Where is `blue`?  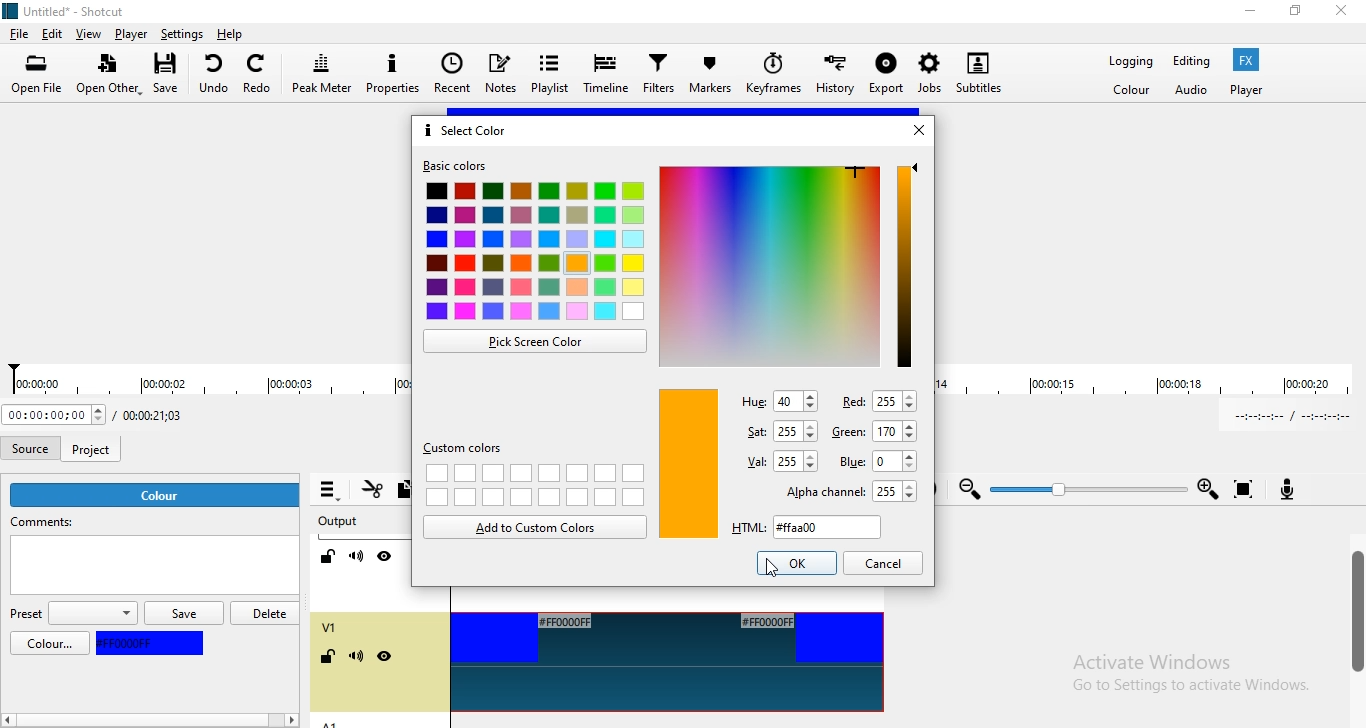 blue is located at coordinates (154, 644).